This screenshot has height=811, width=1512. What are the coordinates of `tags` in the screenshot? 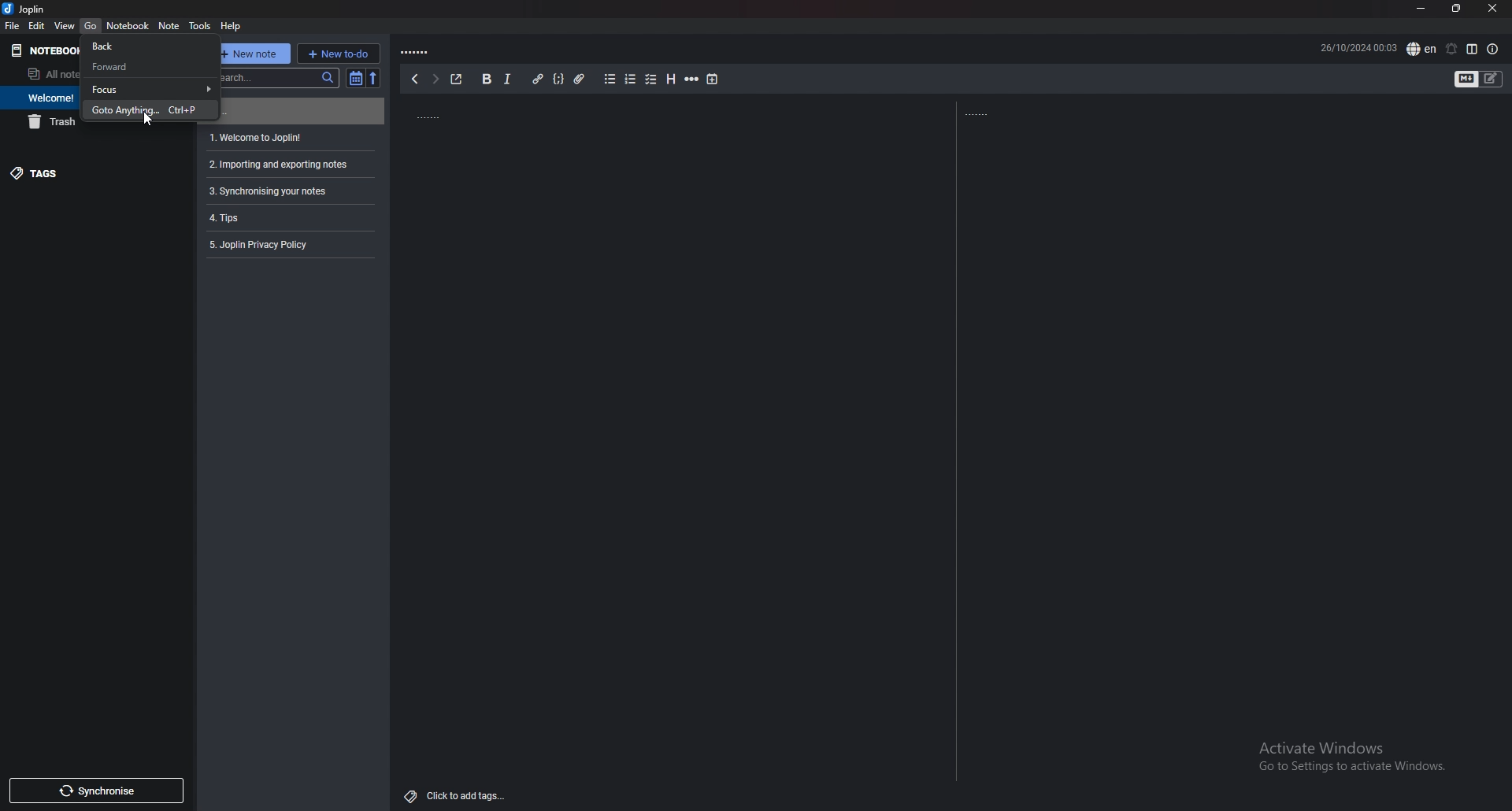 It's located at (87, 173).